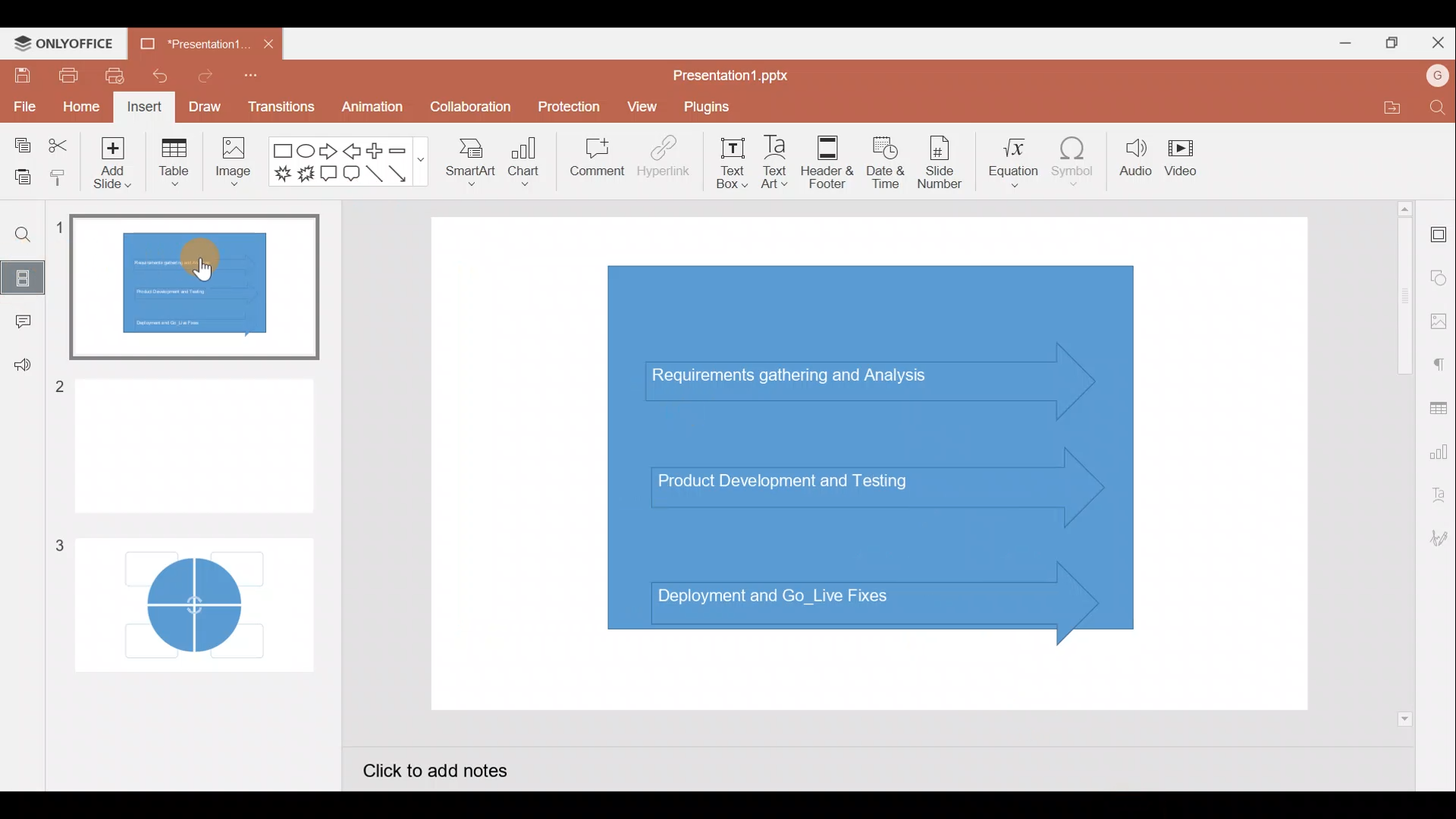 The width and height of the screenshot is (1456, 819). What do you see at coordinates (203, 105) in the screenshot?
I see `Draw` at bounding box center [203, 105].